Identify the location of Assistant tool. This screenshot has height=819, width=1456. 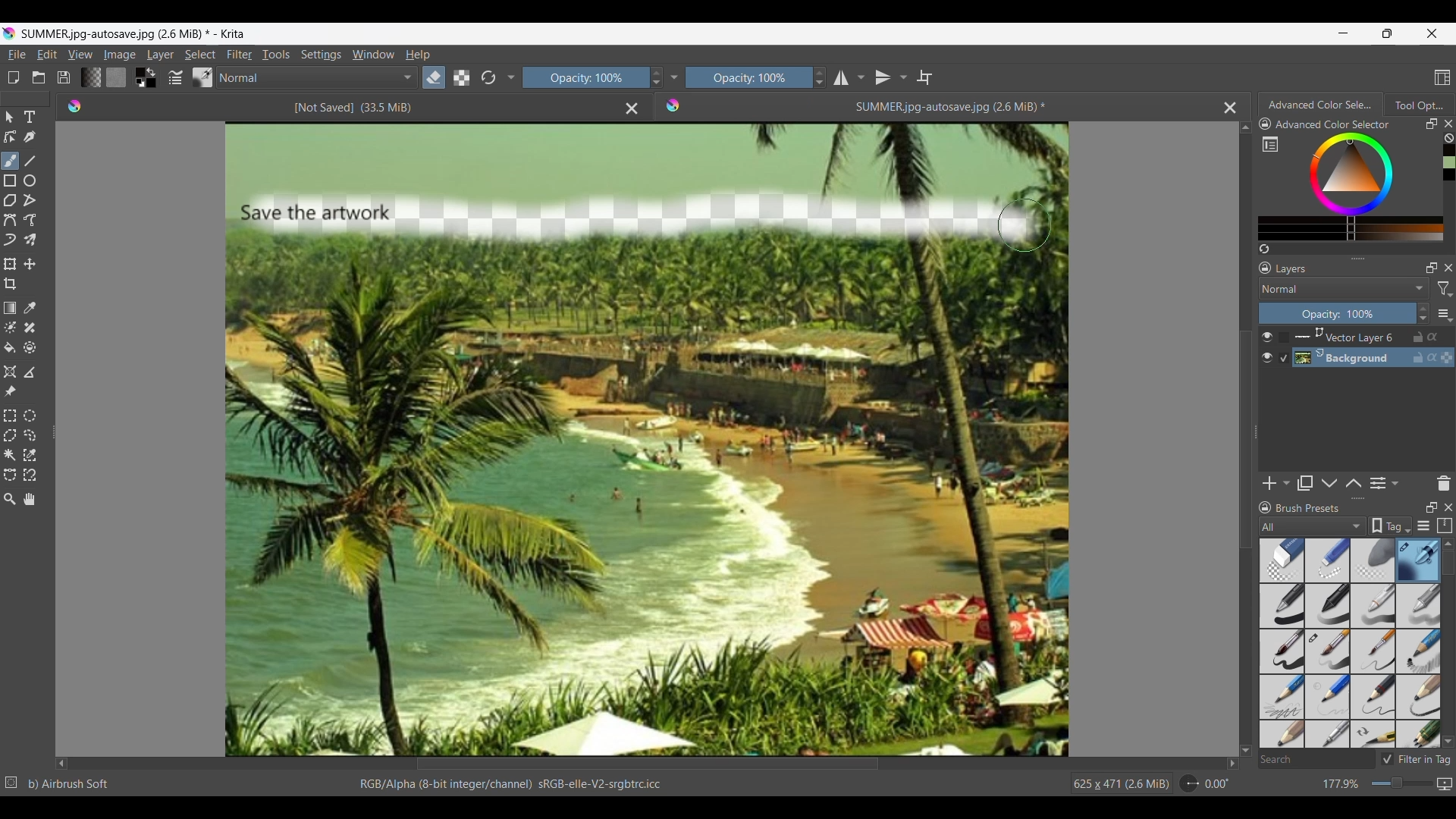
(9, 372).